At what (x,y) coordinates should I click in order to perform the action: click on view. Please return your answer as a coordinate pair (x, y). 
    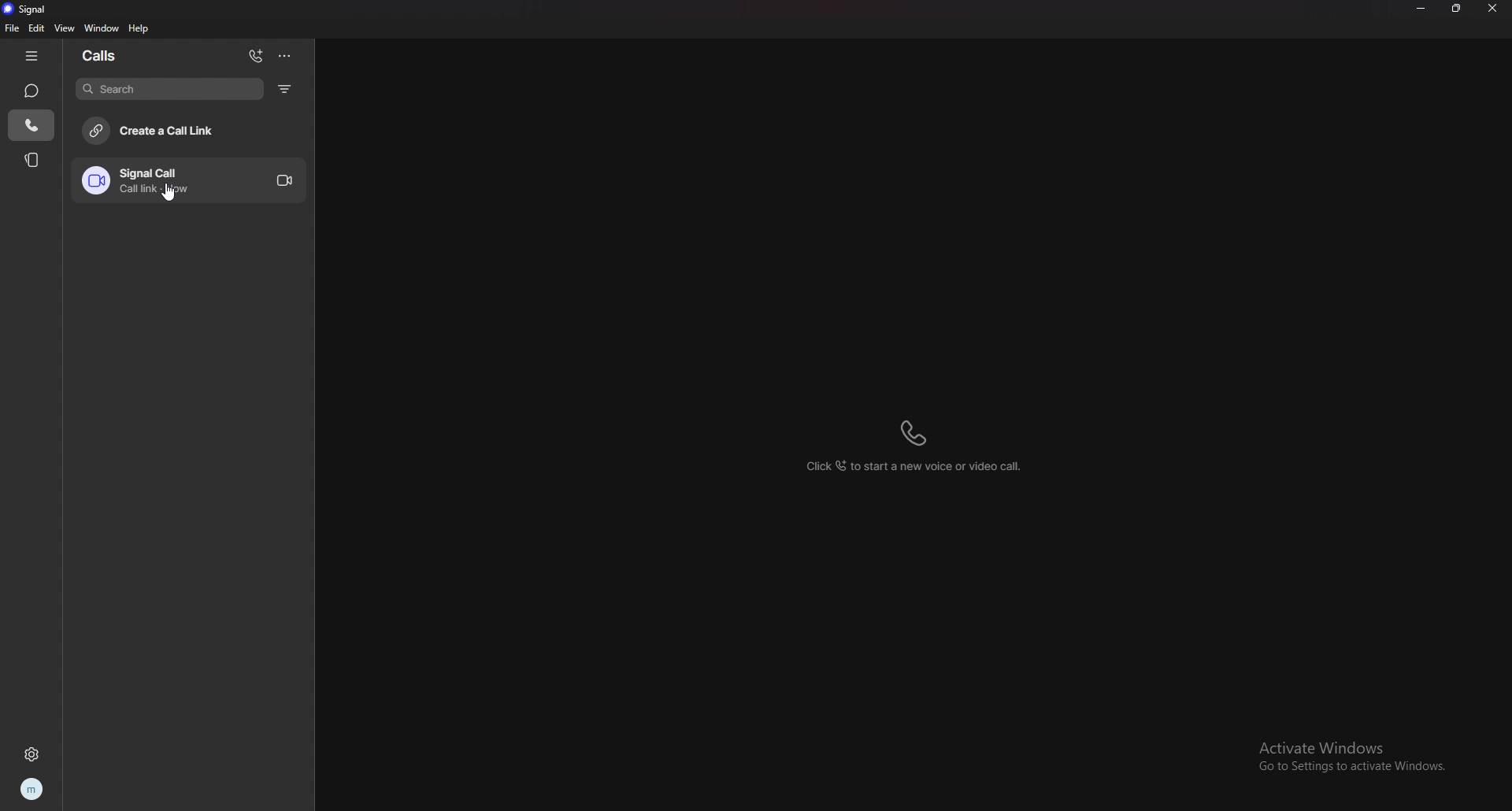
    Looking at the image, I should click on (67, 28).